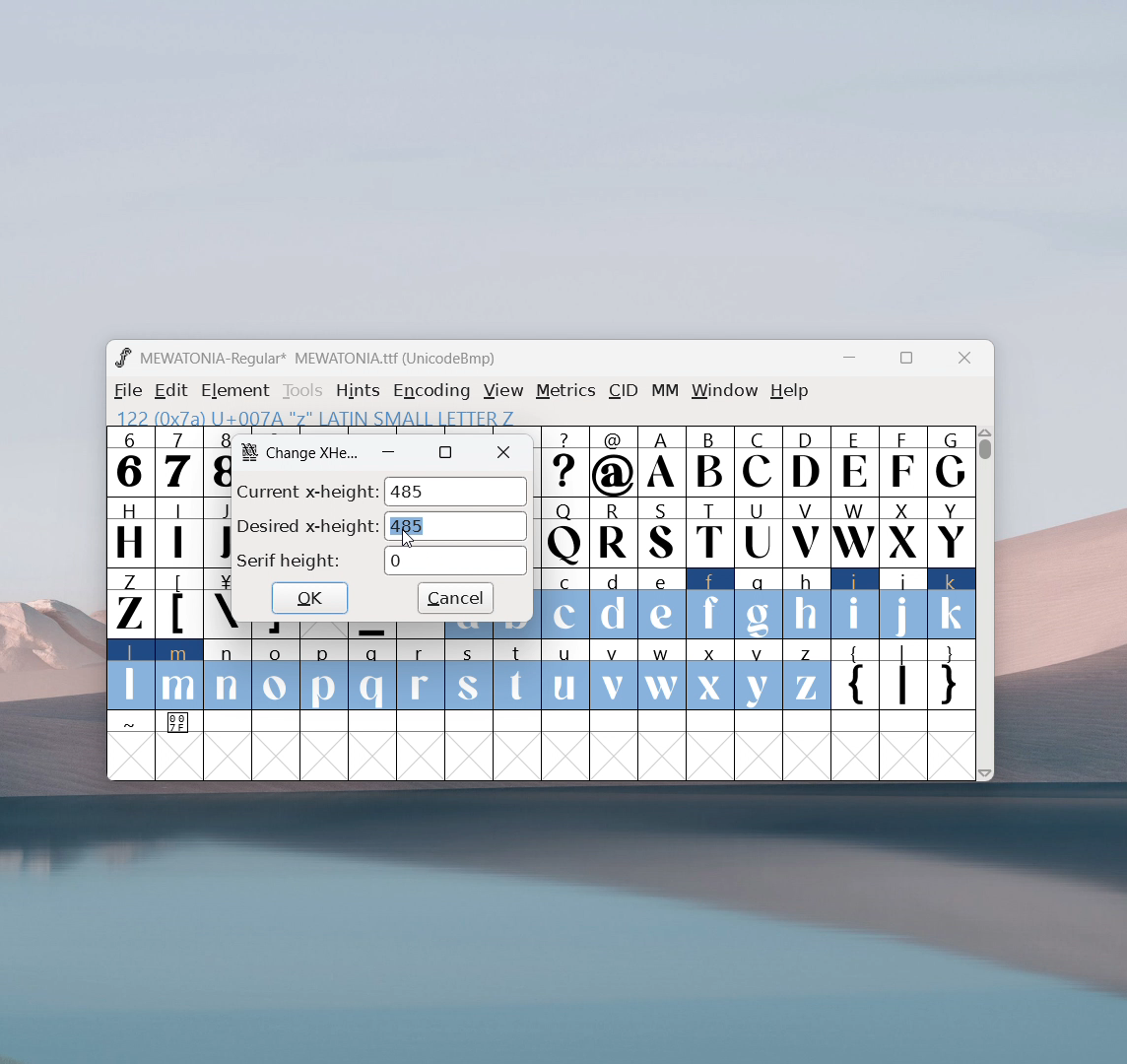 Image resolution: width=1127 pixels, height=1064 pixels. I want to click on 0 0 7 F, so click(180, 725).